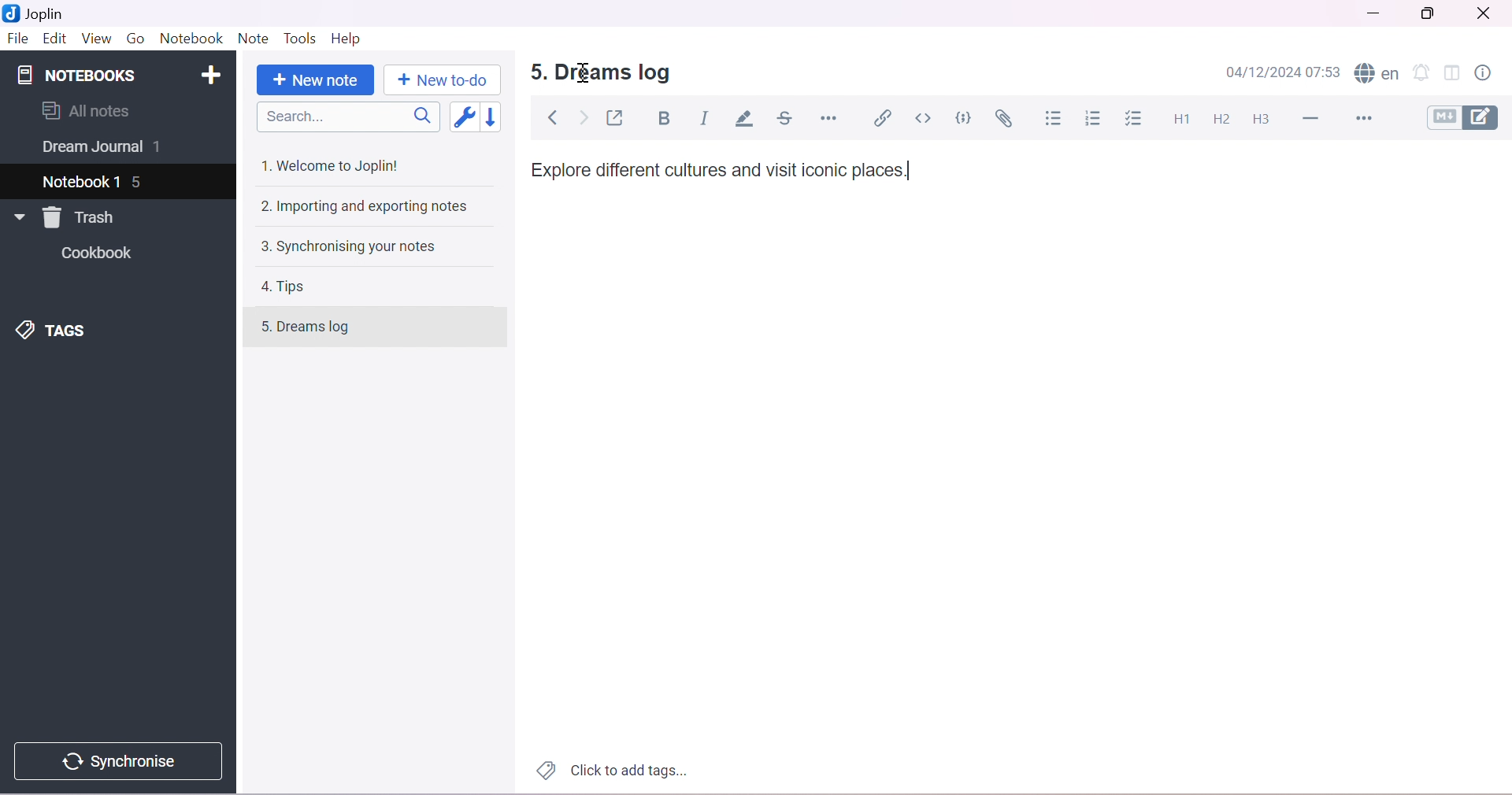 Image resolution: width=1512 pixels, height=795 pixels. I want to click on Cookbook, so click(101, 255).